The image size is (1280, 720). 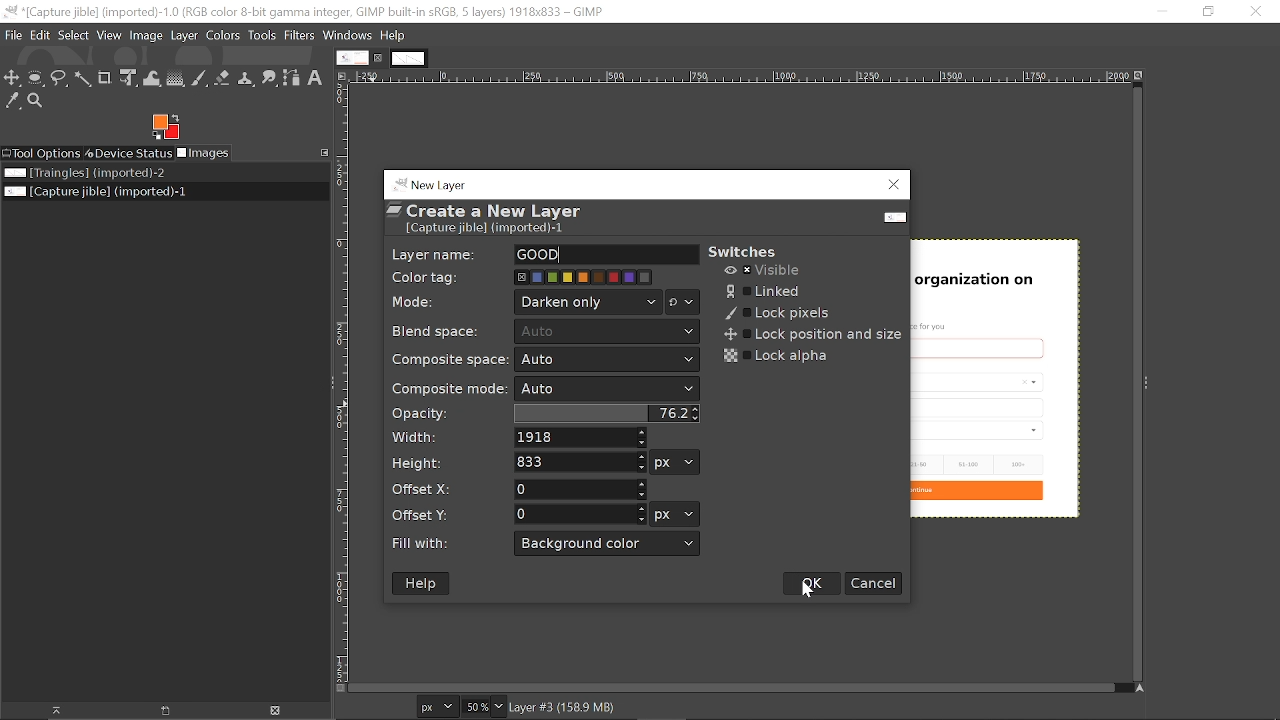 I want to click on Composite space, so click(x=608, y=360).